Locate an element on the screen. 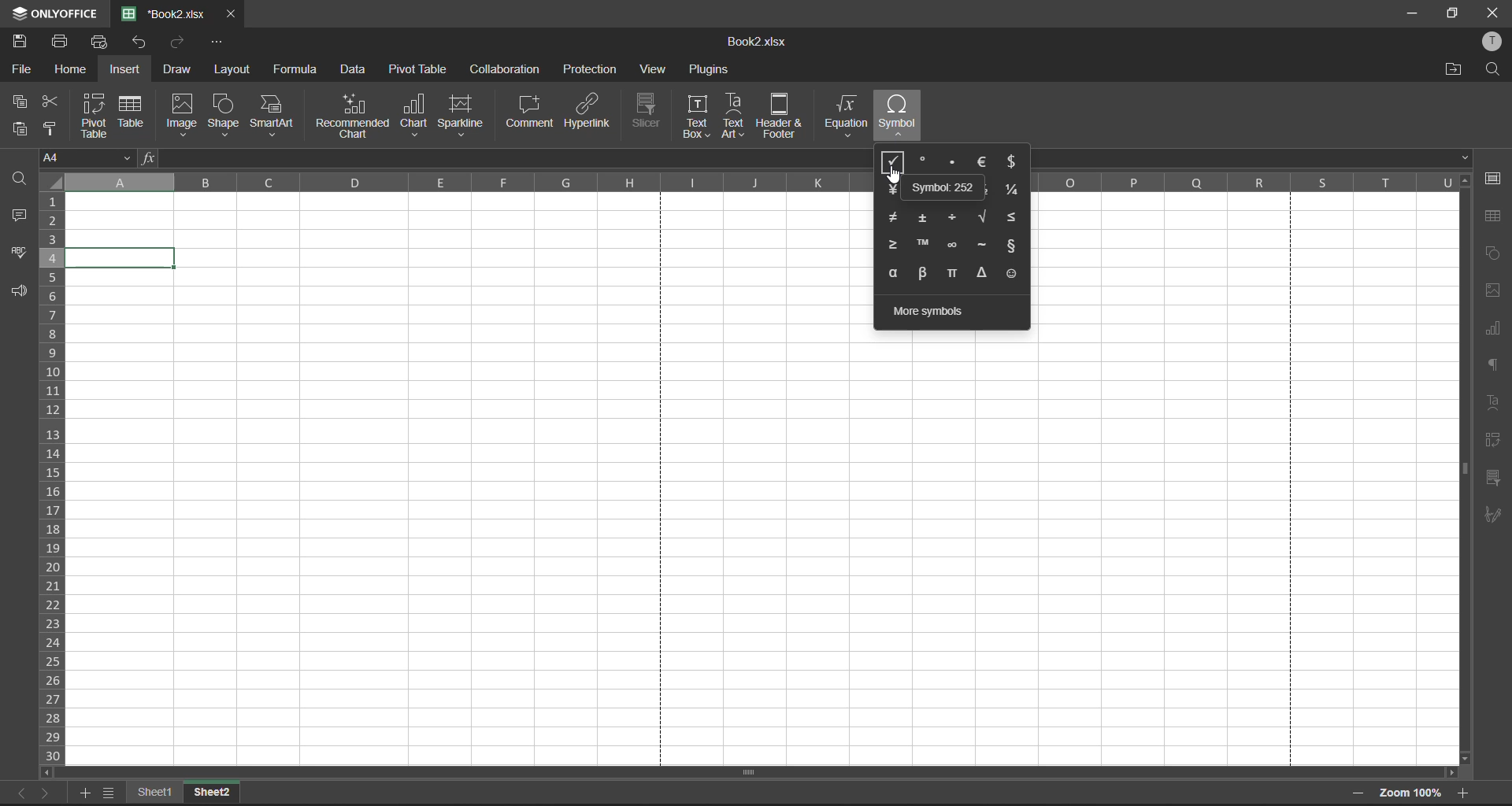 The width and height of the screenshot is (1512, 806). euro is located at coordinates (983, 159).